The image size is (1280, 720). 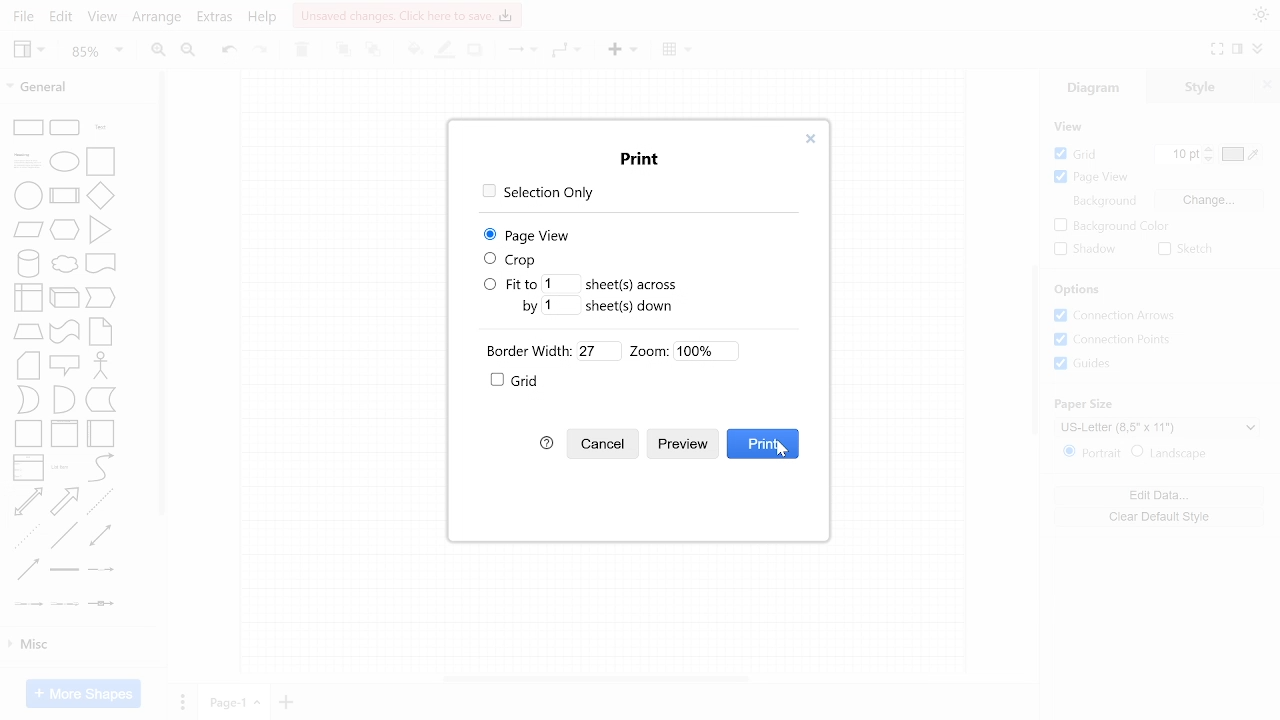 What do you see at coordinates (1113, 340) in the screenshot?
I see `` at bounding box center [1113, 340].